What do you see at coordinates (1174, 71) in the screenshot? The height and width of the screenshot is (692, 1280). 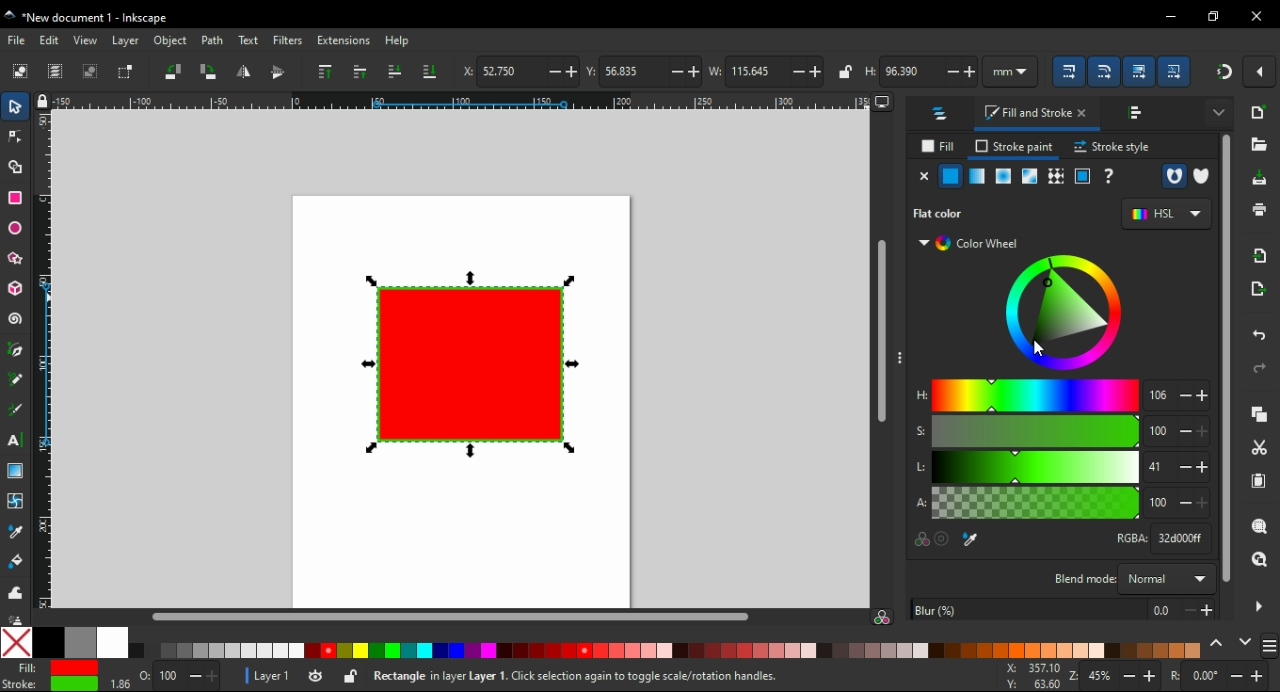 I see `scaling options` at bounding box center [1174, 71].